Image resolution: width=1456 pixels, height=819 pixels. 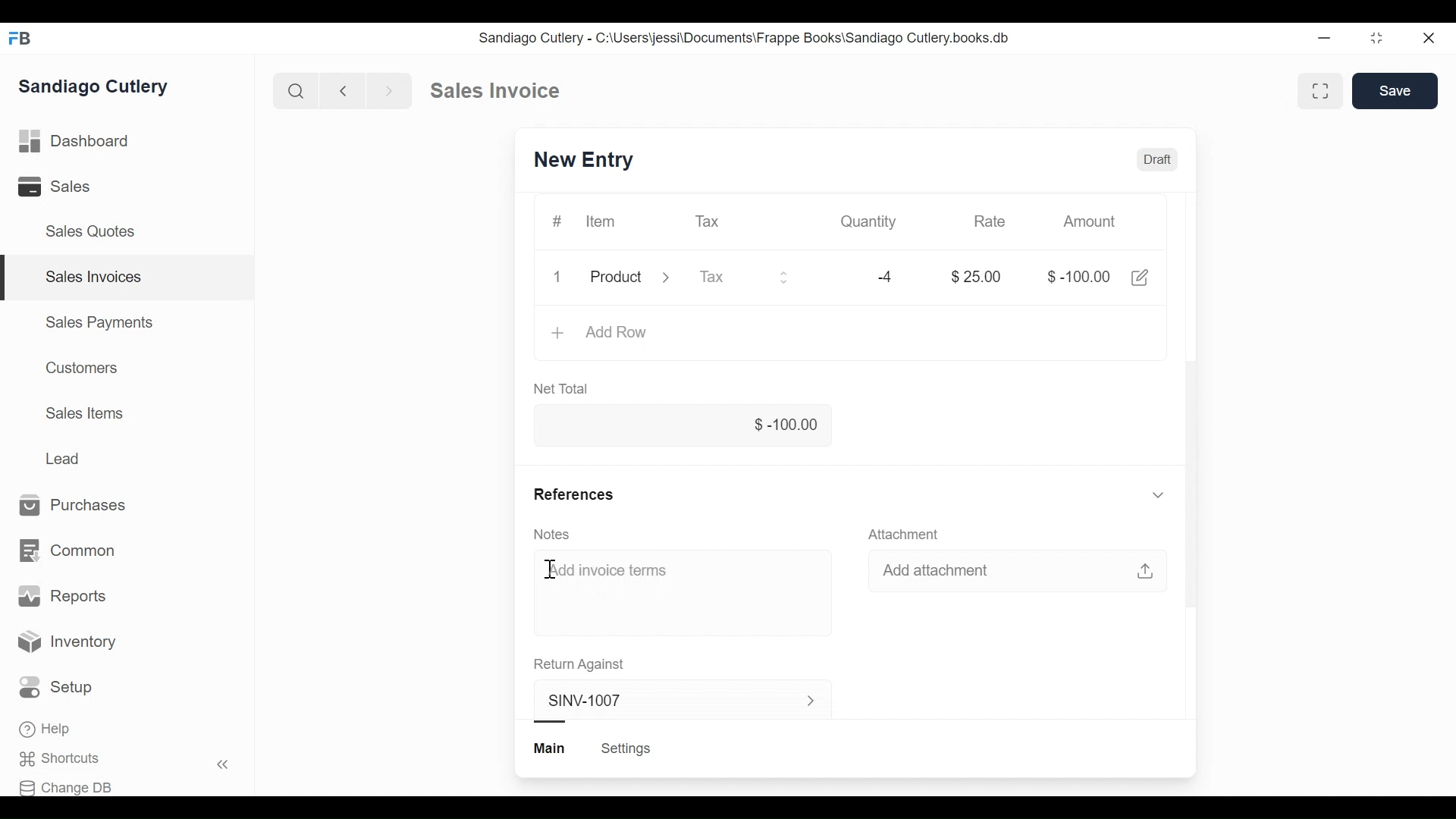 I want to click on Notes, so click(x=554, y=534).